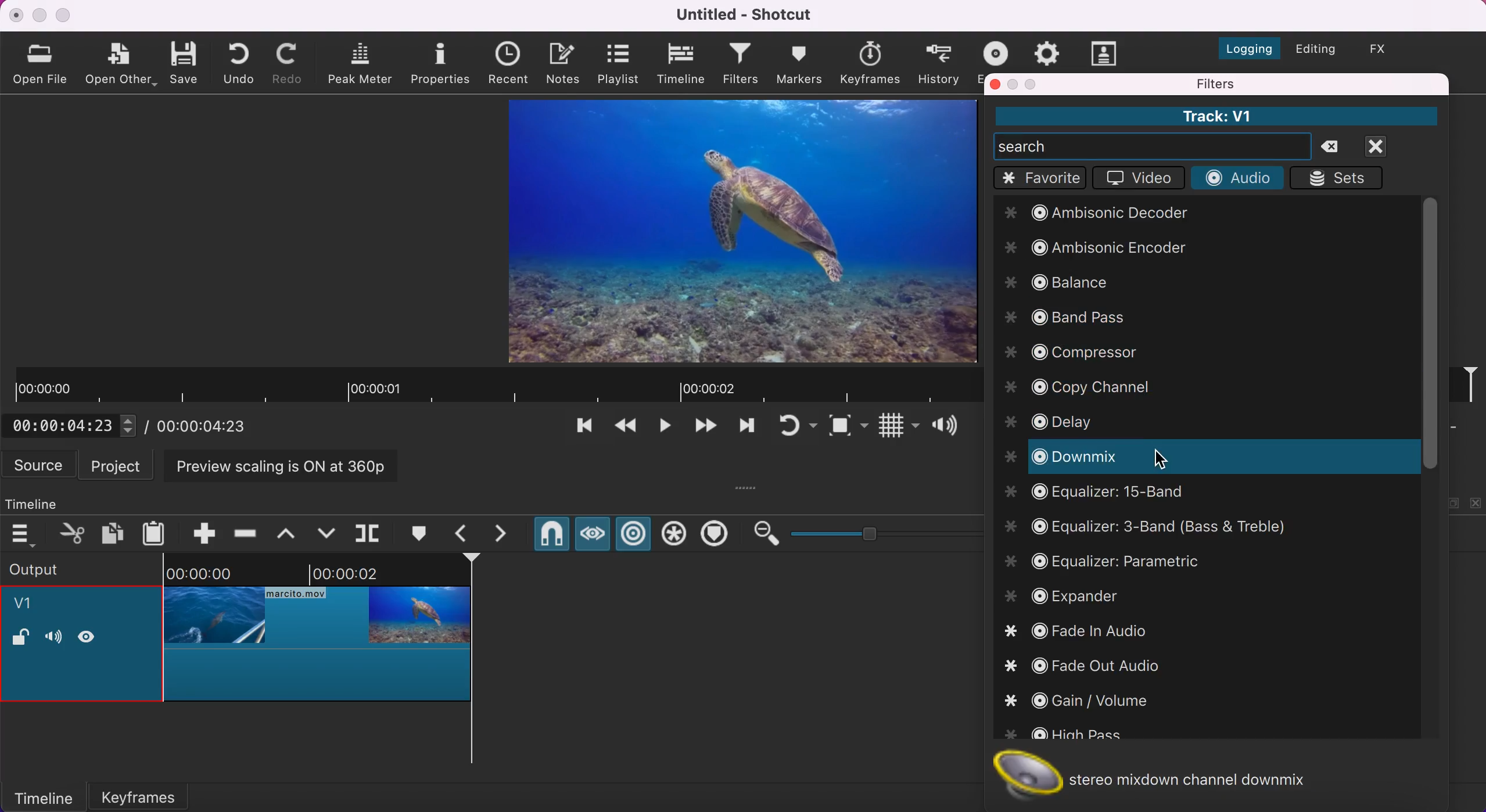 This screenshot has width=1486, height=812. Describe the element at coordinates (65, 15) in the screenshot. I see `maximize` at that location.